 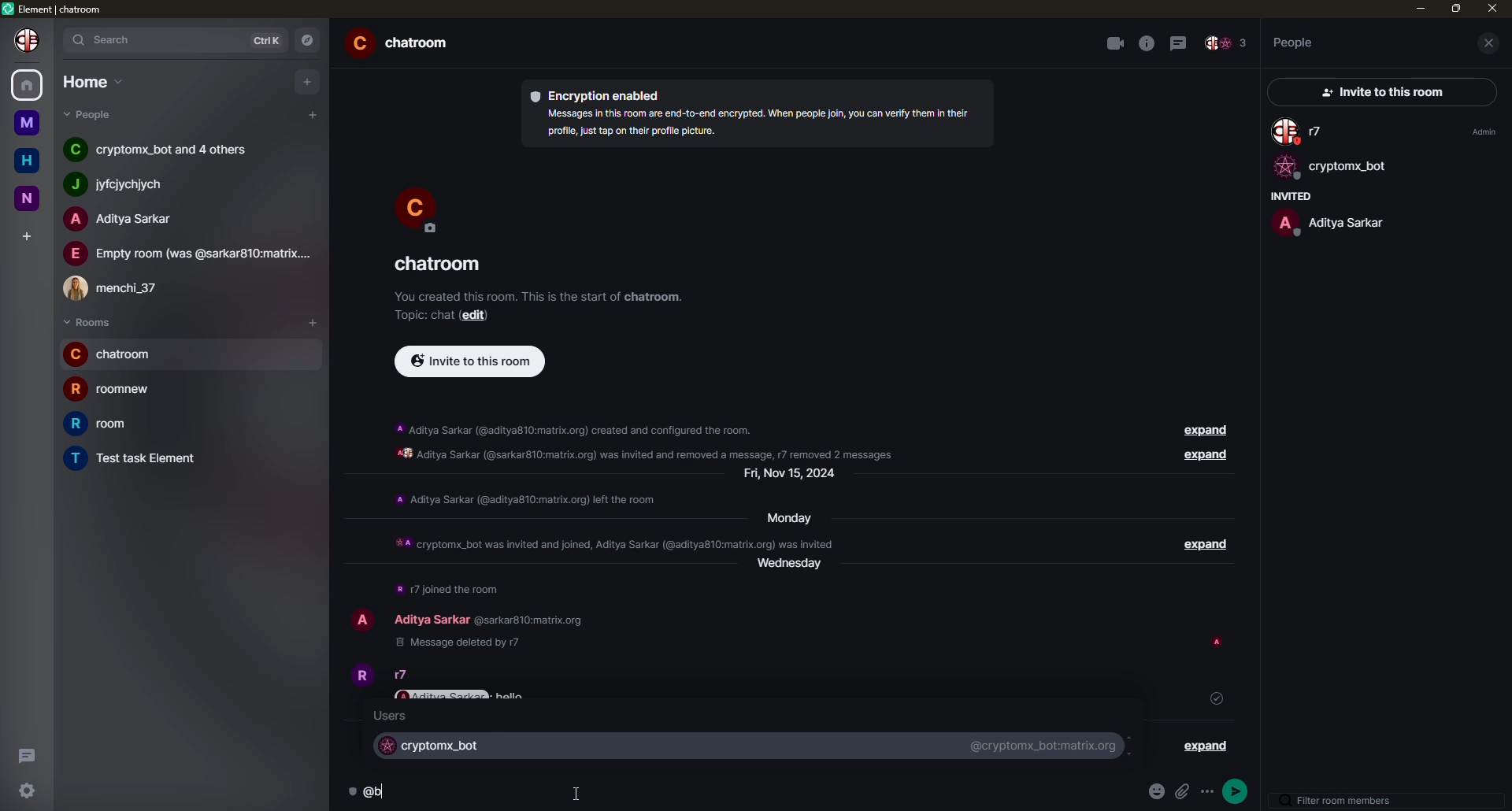 What do you see at coordinates (109, 39) in the screenshot?
I see `search` at bounding box center [109, 39].